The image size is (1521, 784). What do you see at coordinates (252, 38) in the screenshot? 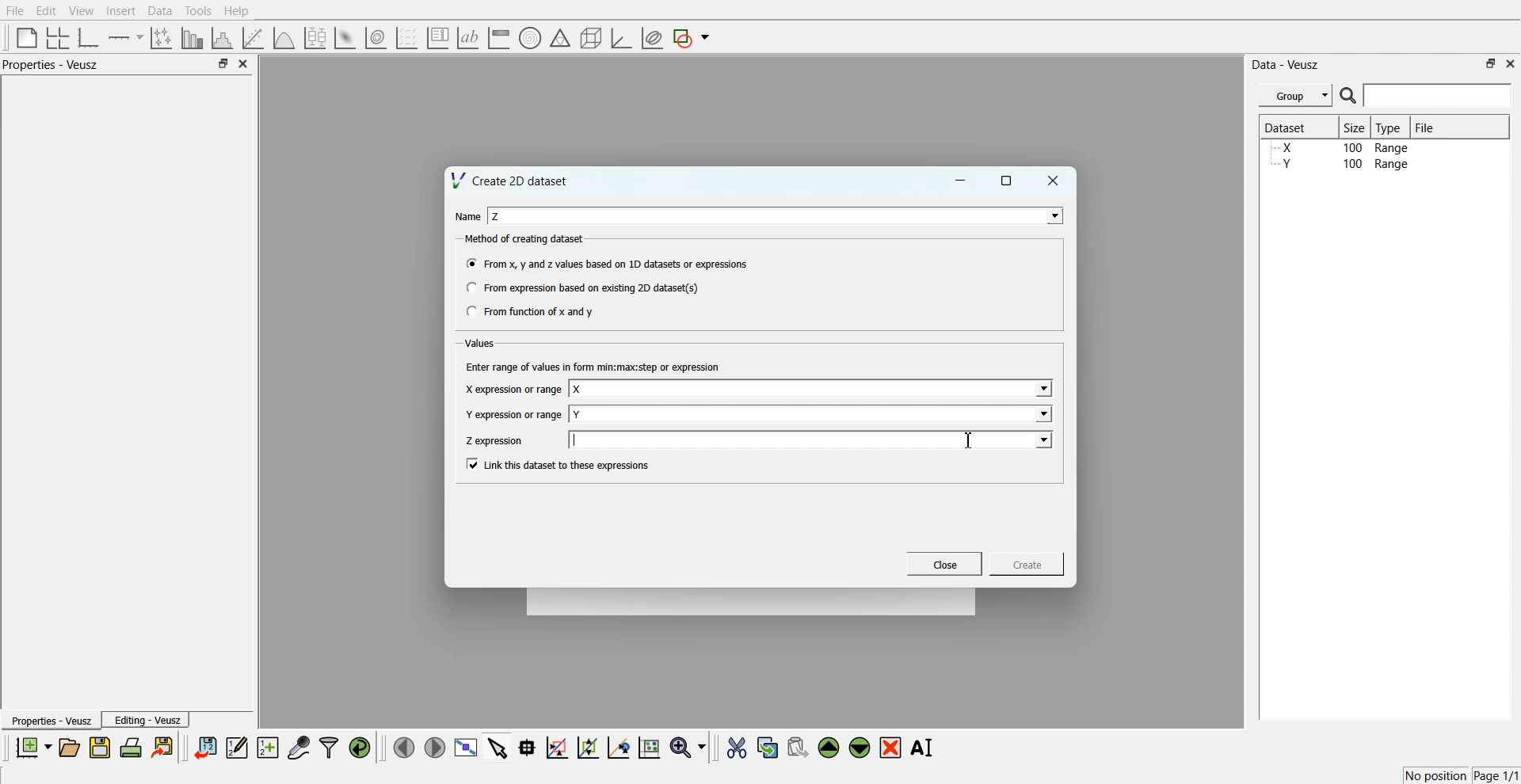
I see `Fit a function of data` at bounding box center [252, 38].